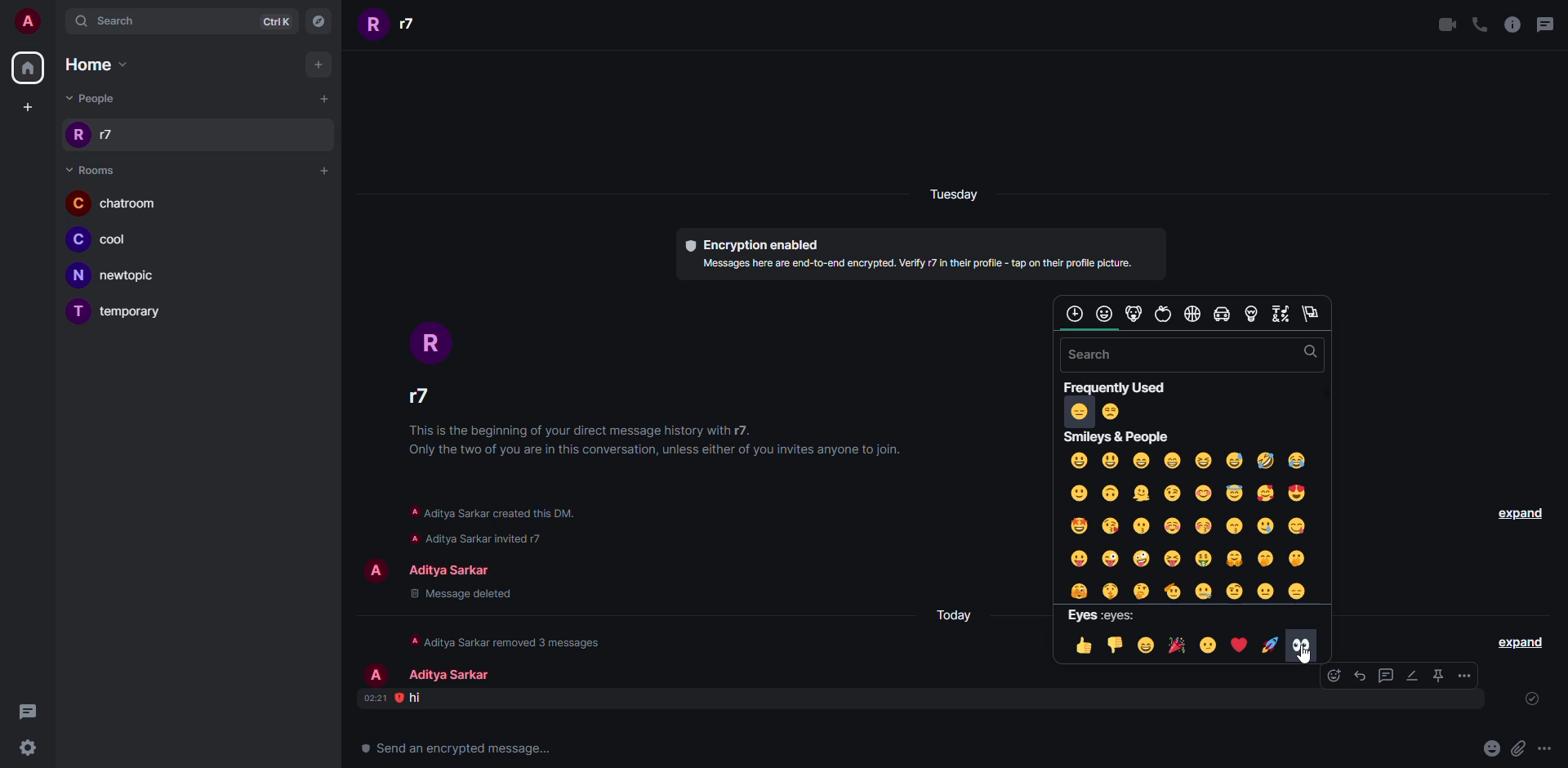 This screenshot has height=768, width=1568. I want to click on search, so click(111, 21).